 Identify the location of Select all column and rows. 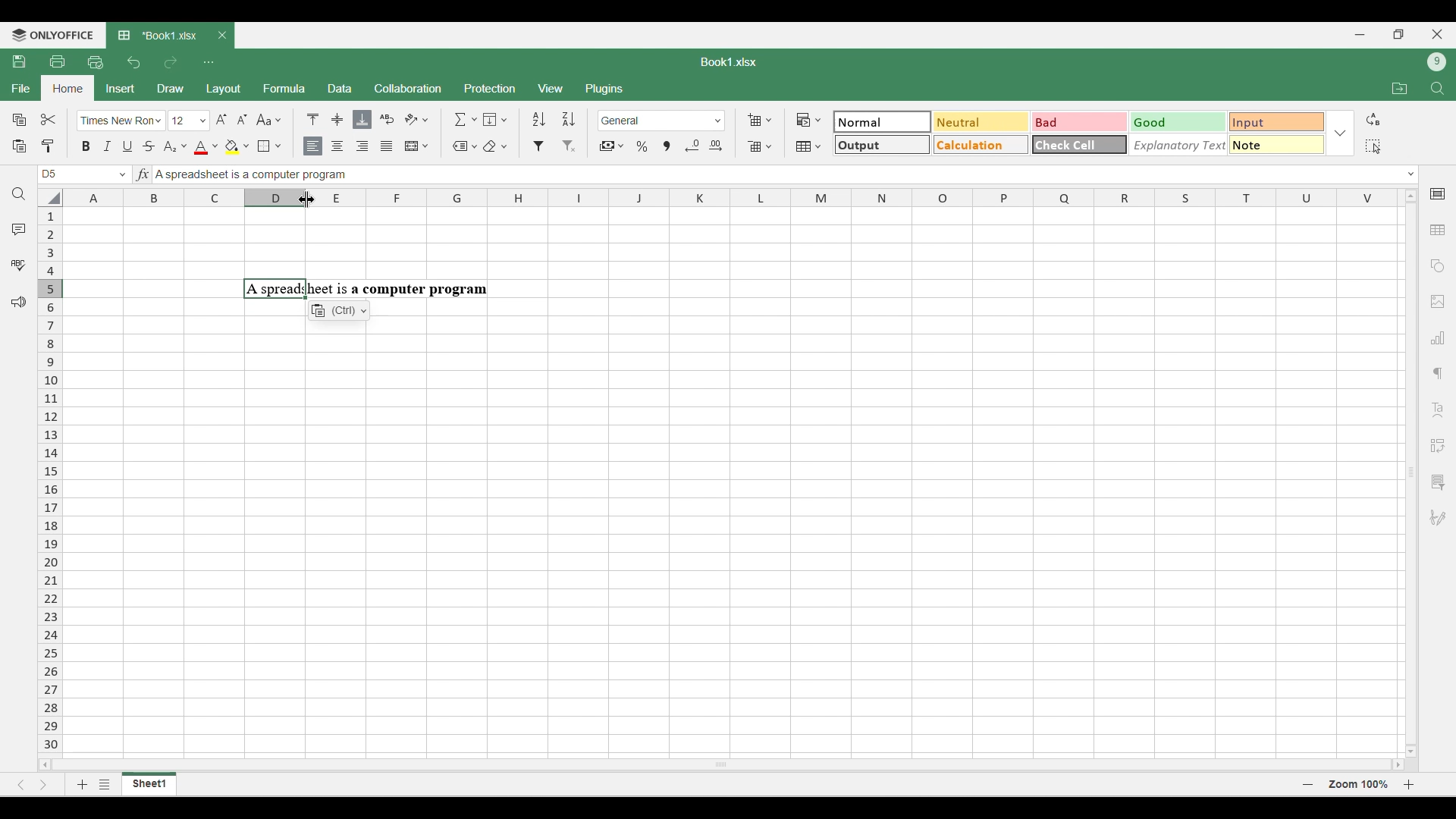
(50, 198).